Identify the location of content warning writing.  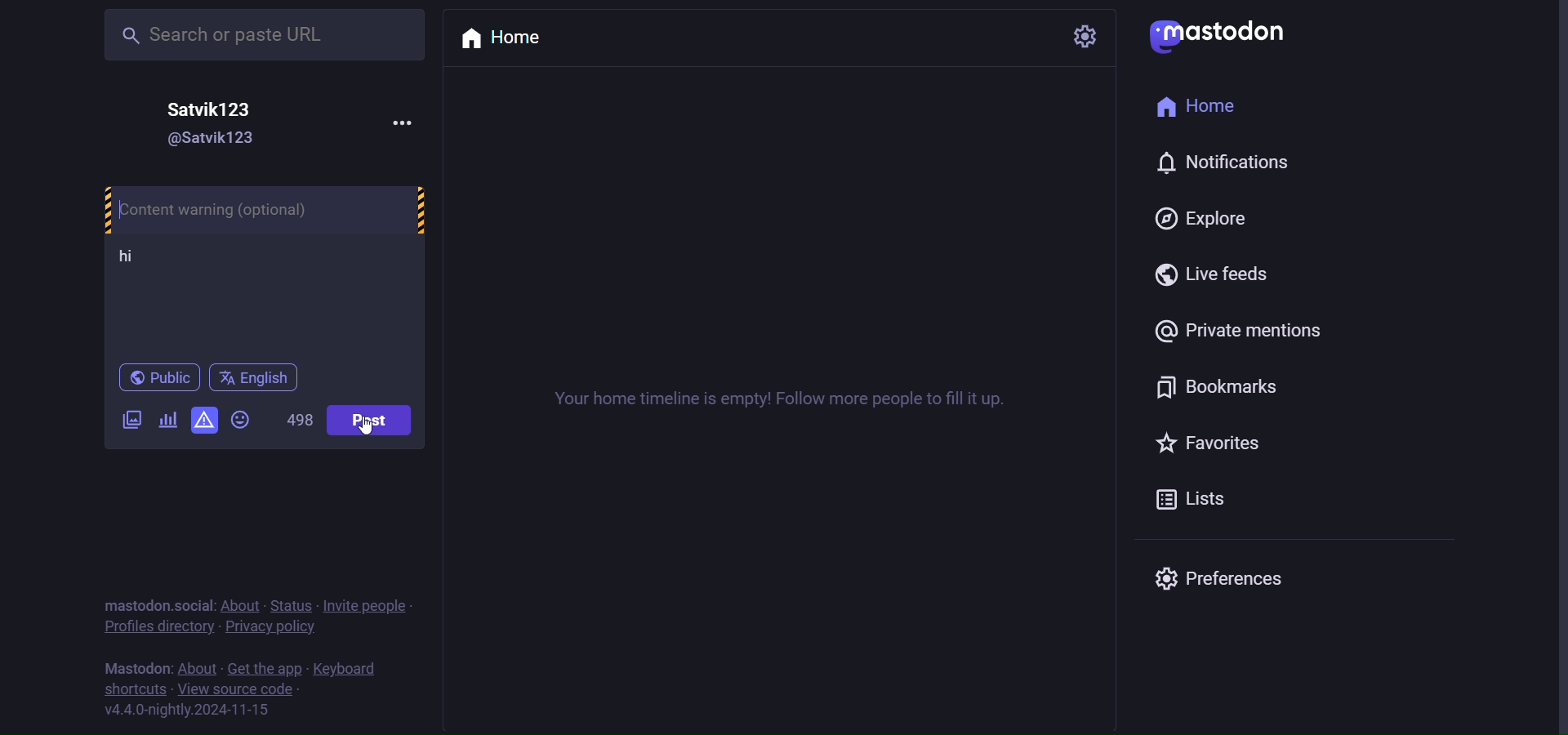
(264, 209).